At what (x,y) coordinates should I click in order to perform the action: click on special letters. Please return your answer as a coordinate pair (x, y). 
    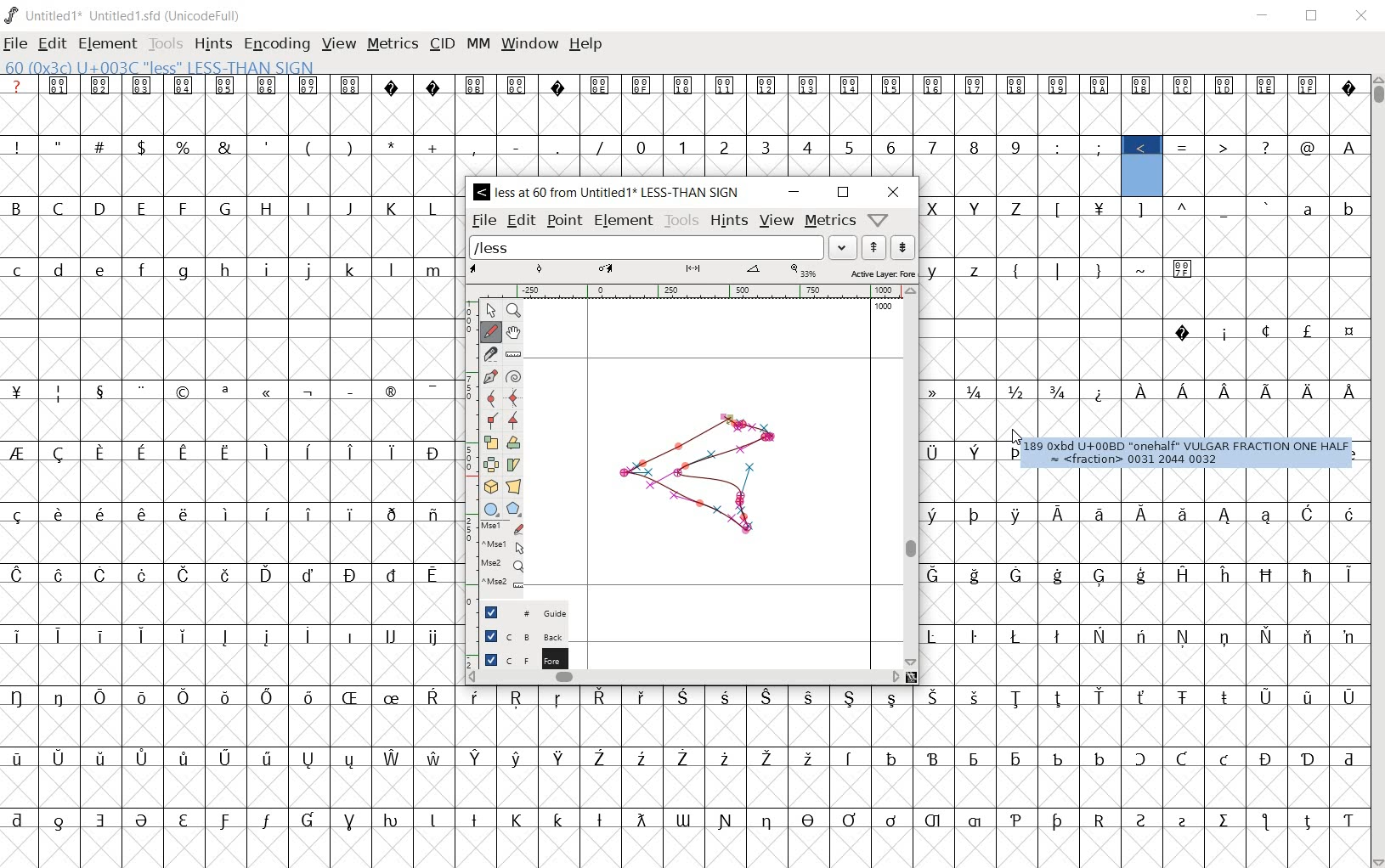
    Looking at the image, I should click on (226, 637).